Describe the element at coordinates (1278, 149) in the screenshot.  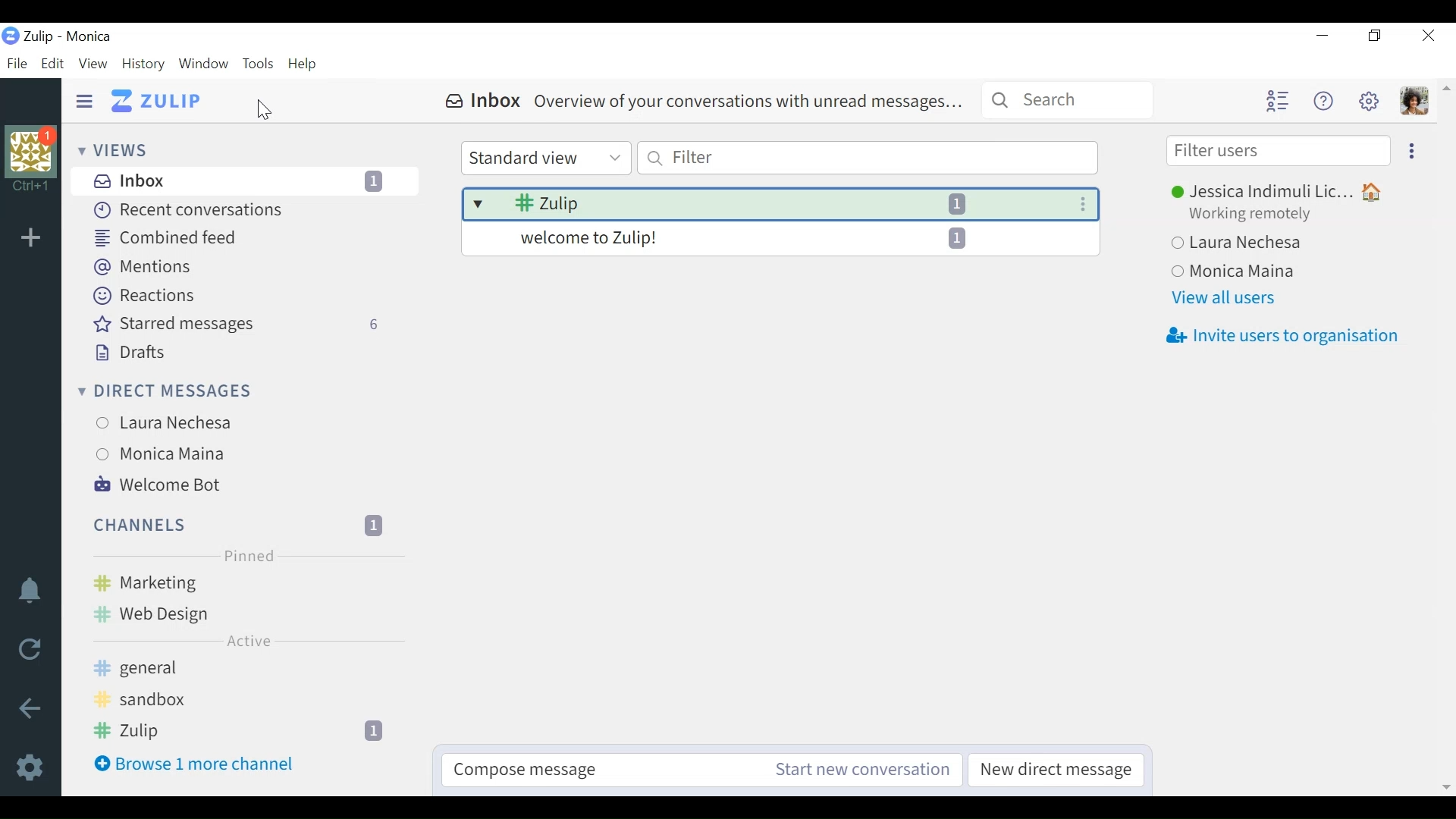
I see `Filter users` at that location.